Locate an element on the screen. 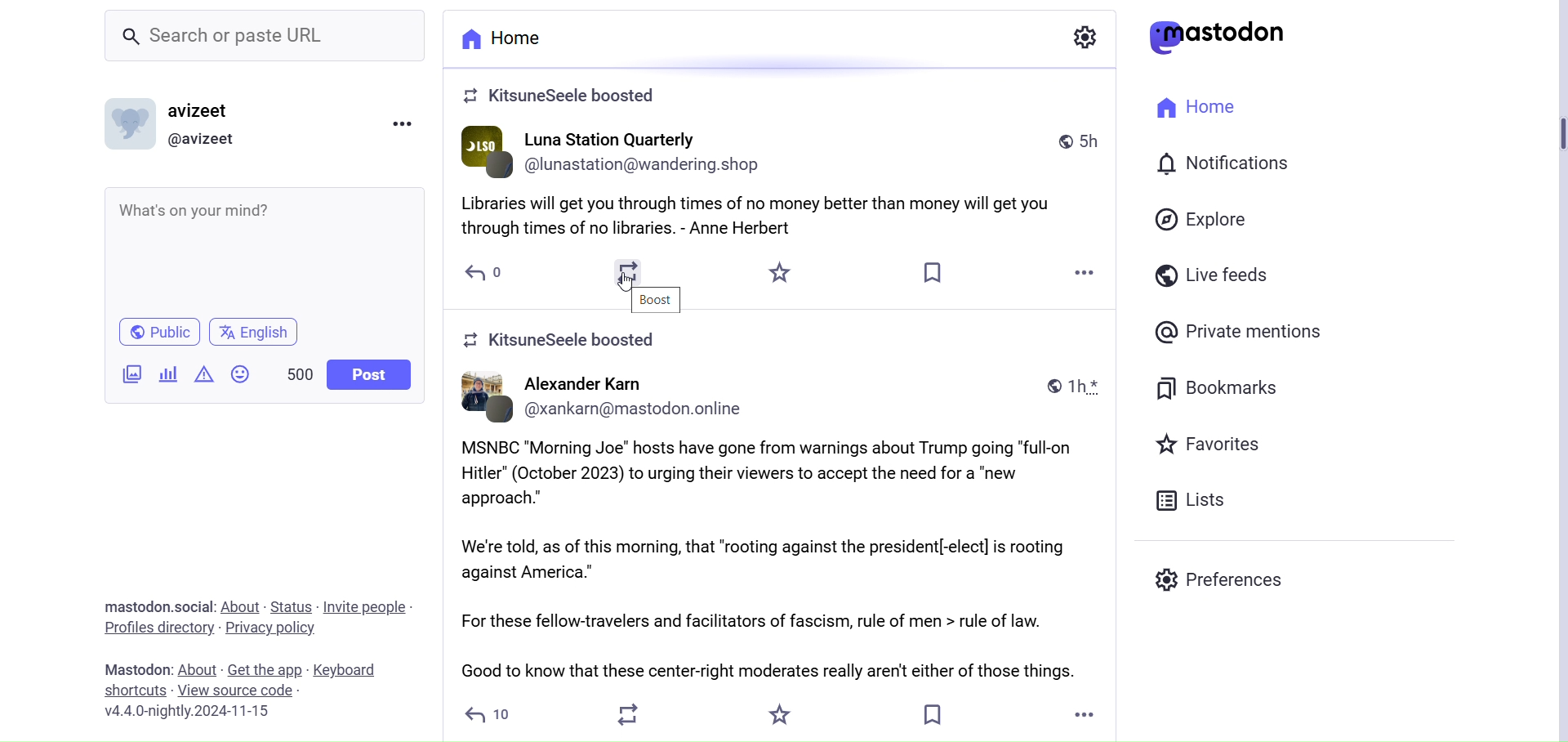  Word Limit is located at coordinates (297, 374).